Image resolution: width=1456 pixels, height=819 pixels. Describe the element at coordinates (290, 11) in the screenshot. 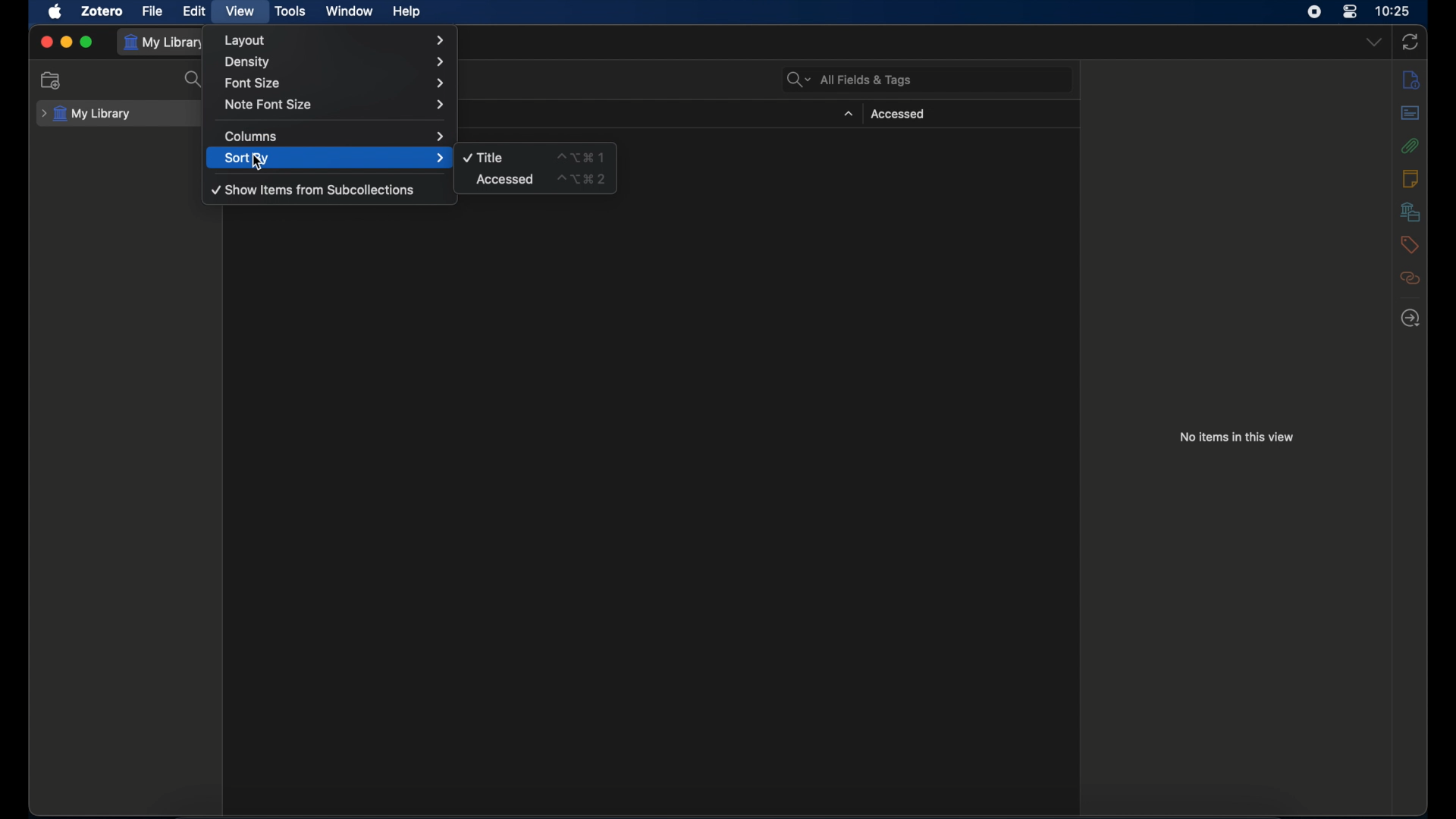

I see `tools` at that location.